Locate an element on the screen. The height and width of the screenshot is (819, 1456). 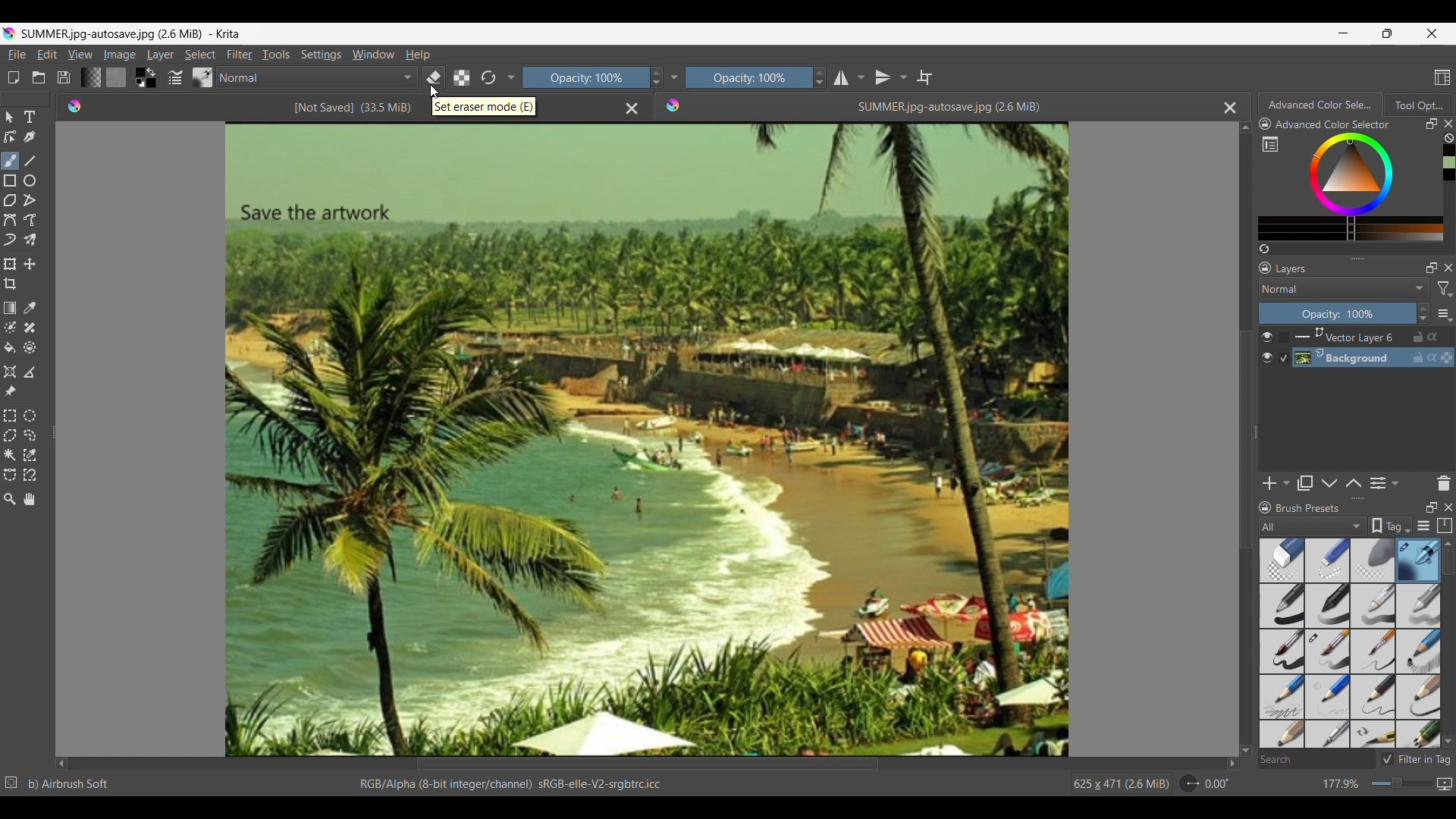
Lock Brush Presets panel is located at coordinates (1266, 510).